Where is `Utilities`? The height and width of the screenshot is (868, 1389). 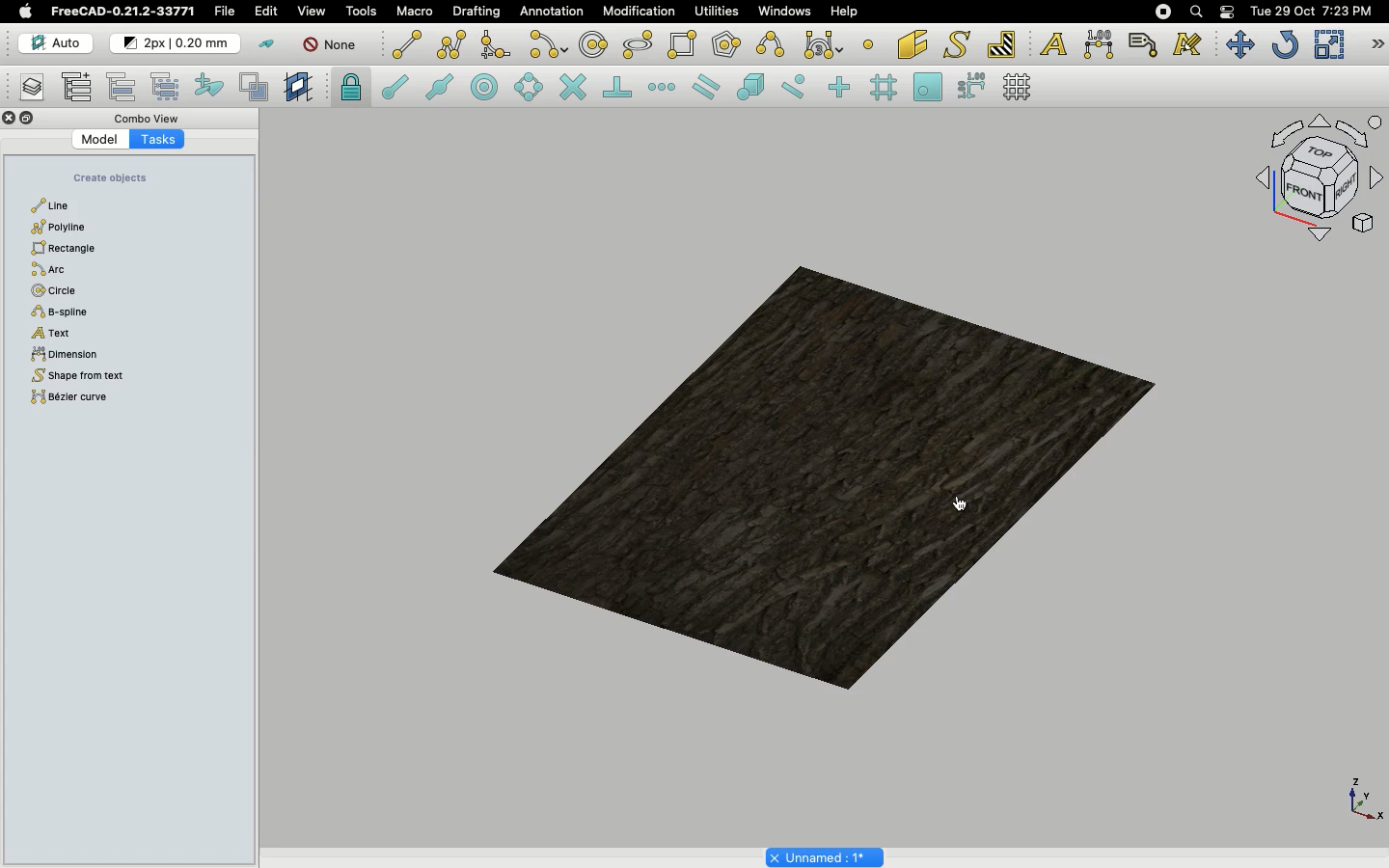 Utilities is located at coordinates (713, 12).